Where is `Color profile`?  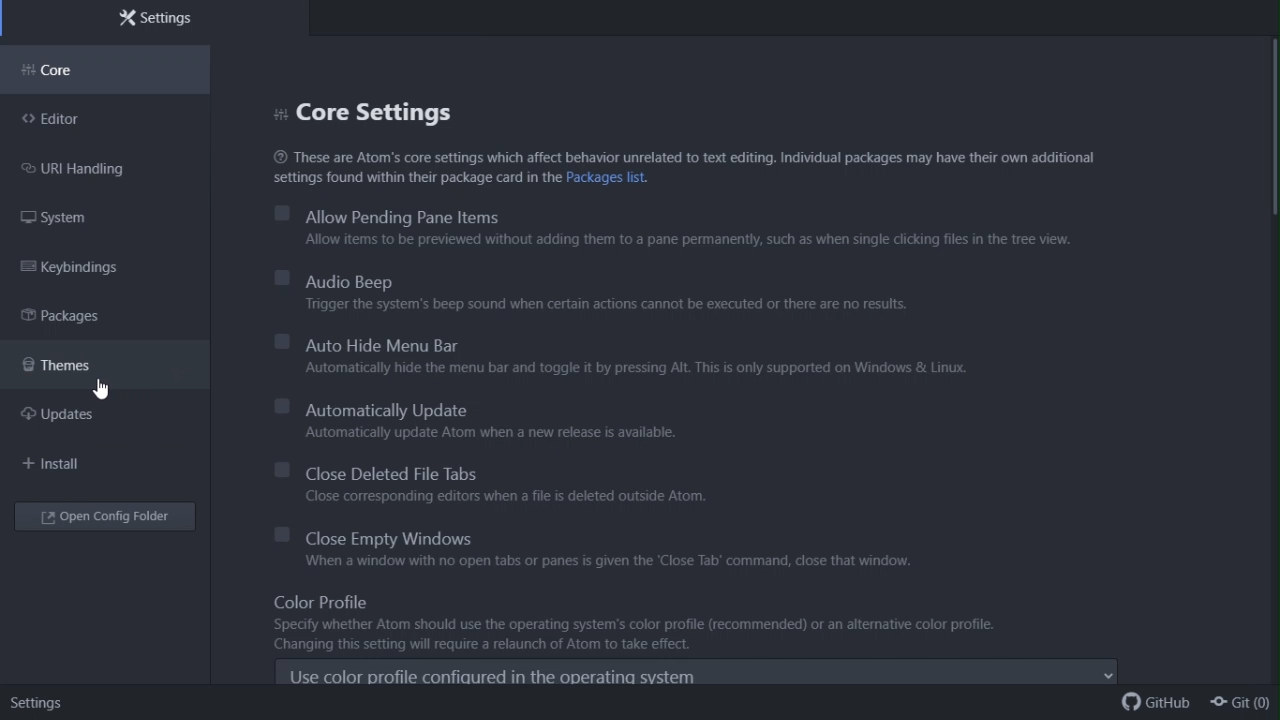 Color profile is located at coordinates (689, 623).